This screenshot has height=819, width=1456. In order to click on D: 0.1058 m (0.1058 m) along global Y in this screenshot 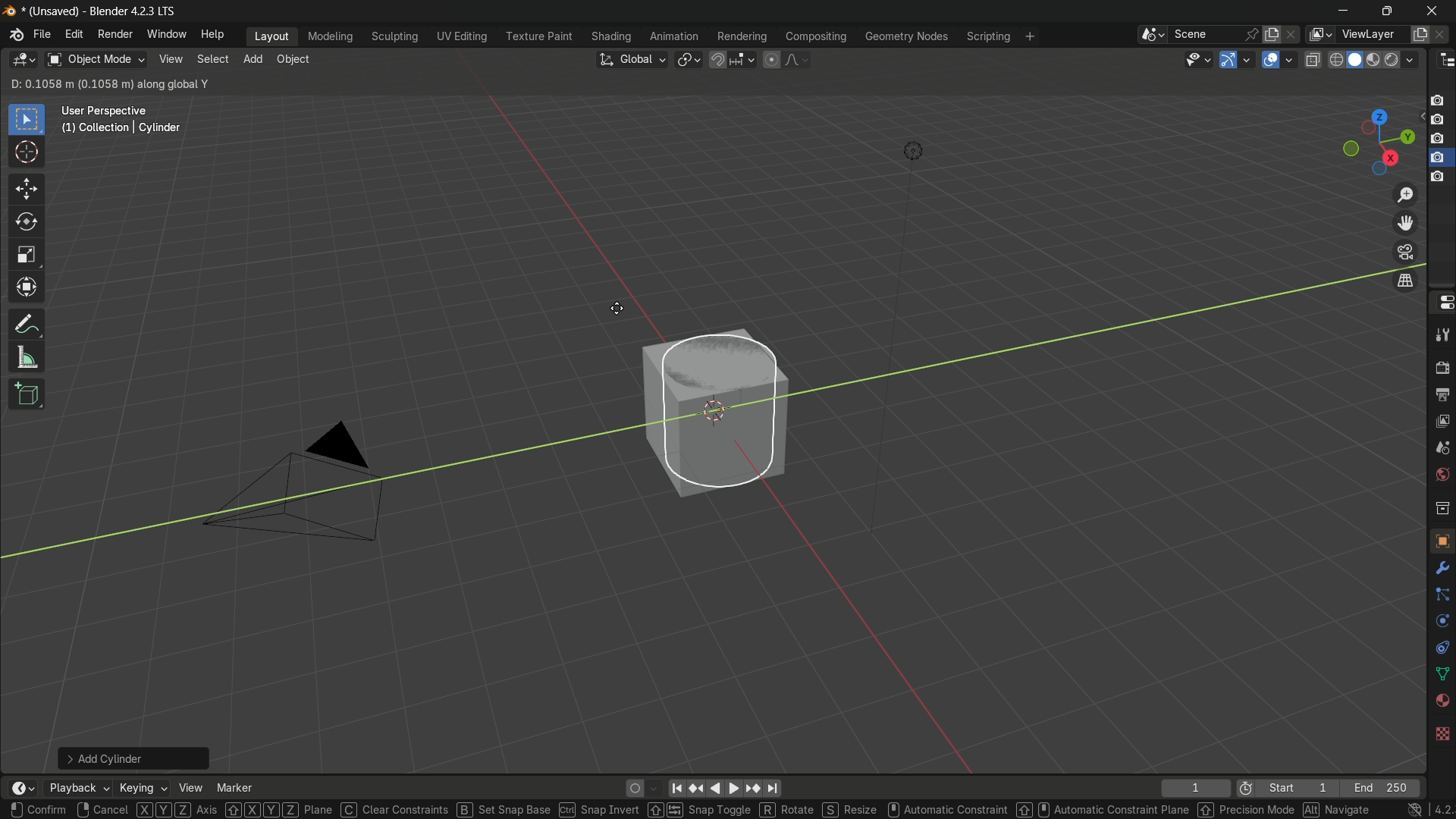, I will do `click(108, 84)`.